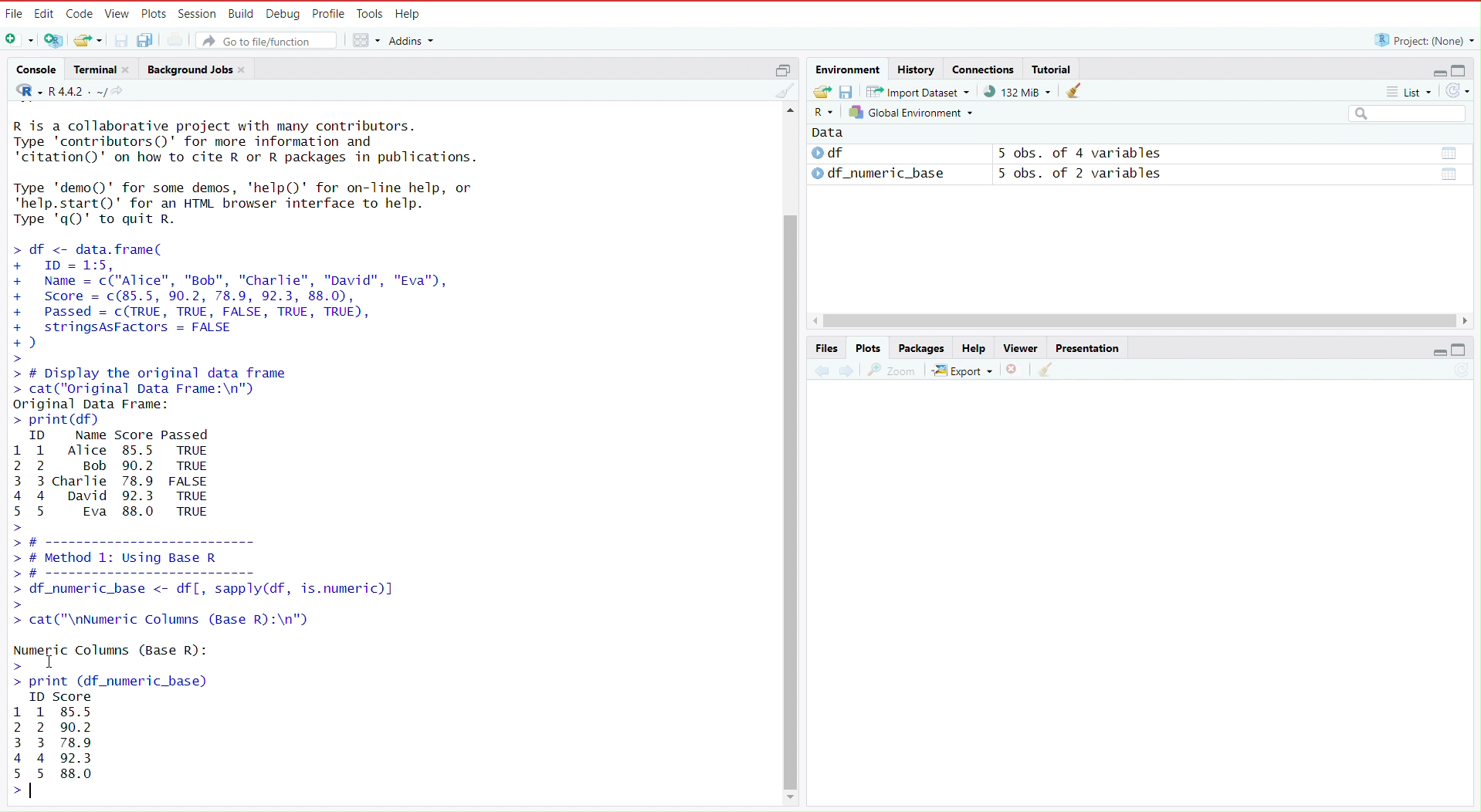  Describe the element at coordinates (175, 41) in the screenshot. I see `print the current file` at that location.